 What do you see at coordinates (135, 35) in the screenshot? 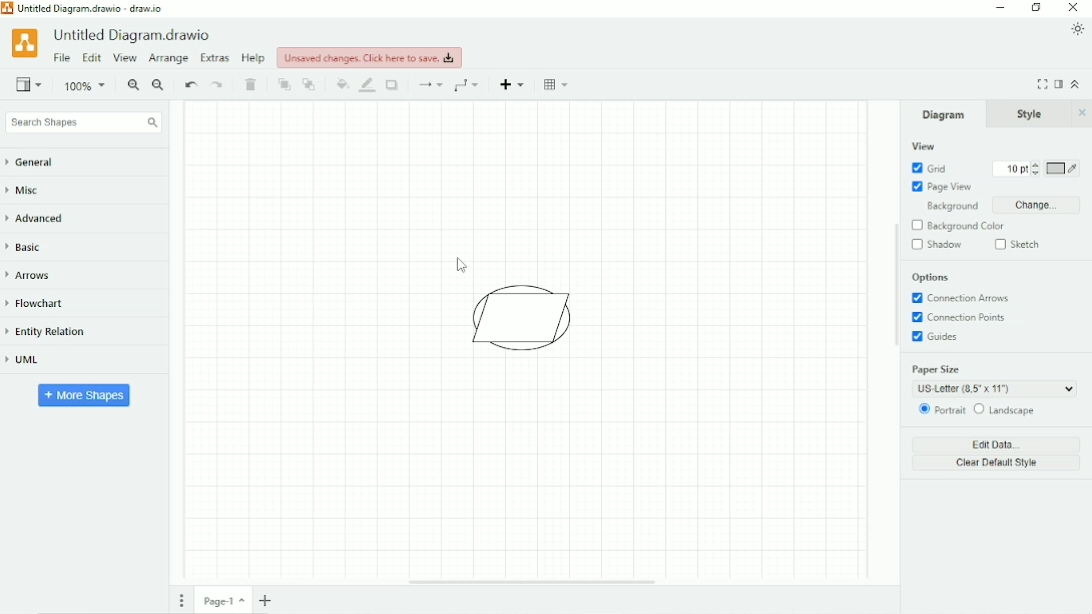
I see `Title` at bounding box center [135, 35].